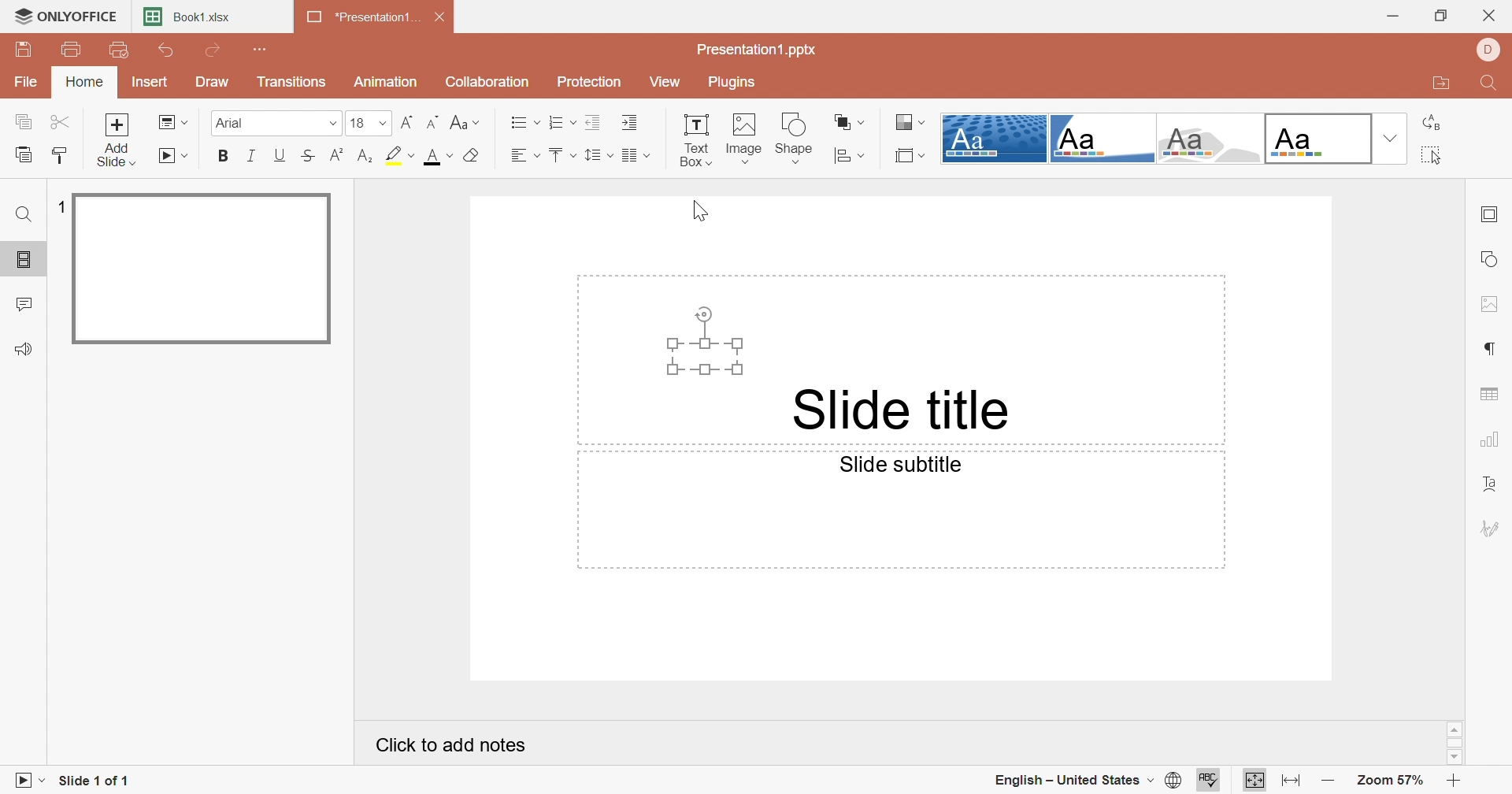 The height and width of the screenshot is (794, 1512). Describe the element at coordinates (1492, 304) in the screenshot. I see `Image settings` at that location.